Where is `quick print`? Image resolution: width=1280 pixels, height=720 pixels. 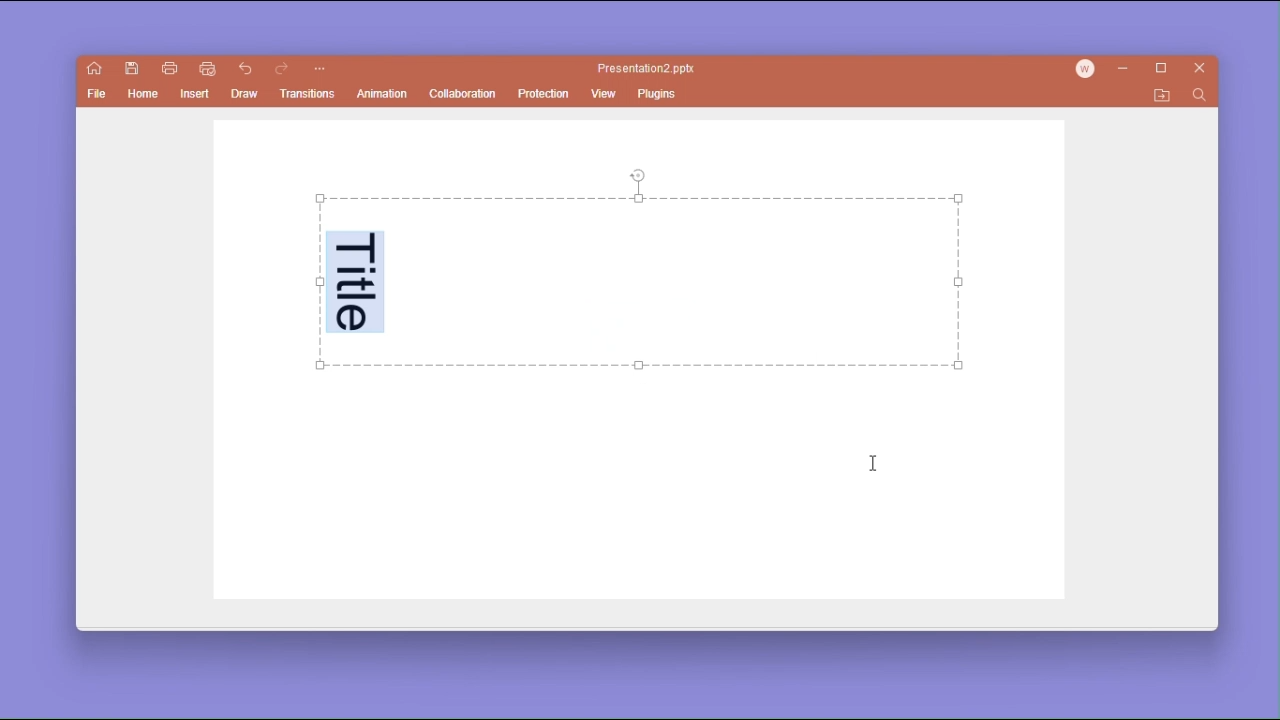 quick print is located at coordinates (206, 69).